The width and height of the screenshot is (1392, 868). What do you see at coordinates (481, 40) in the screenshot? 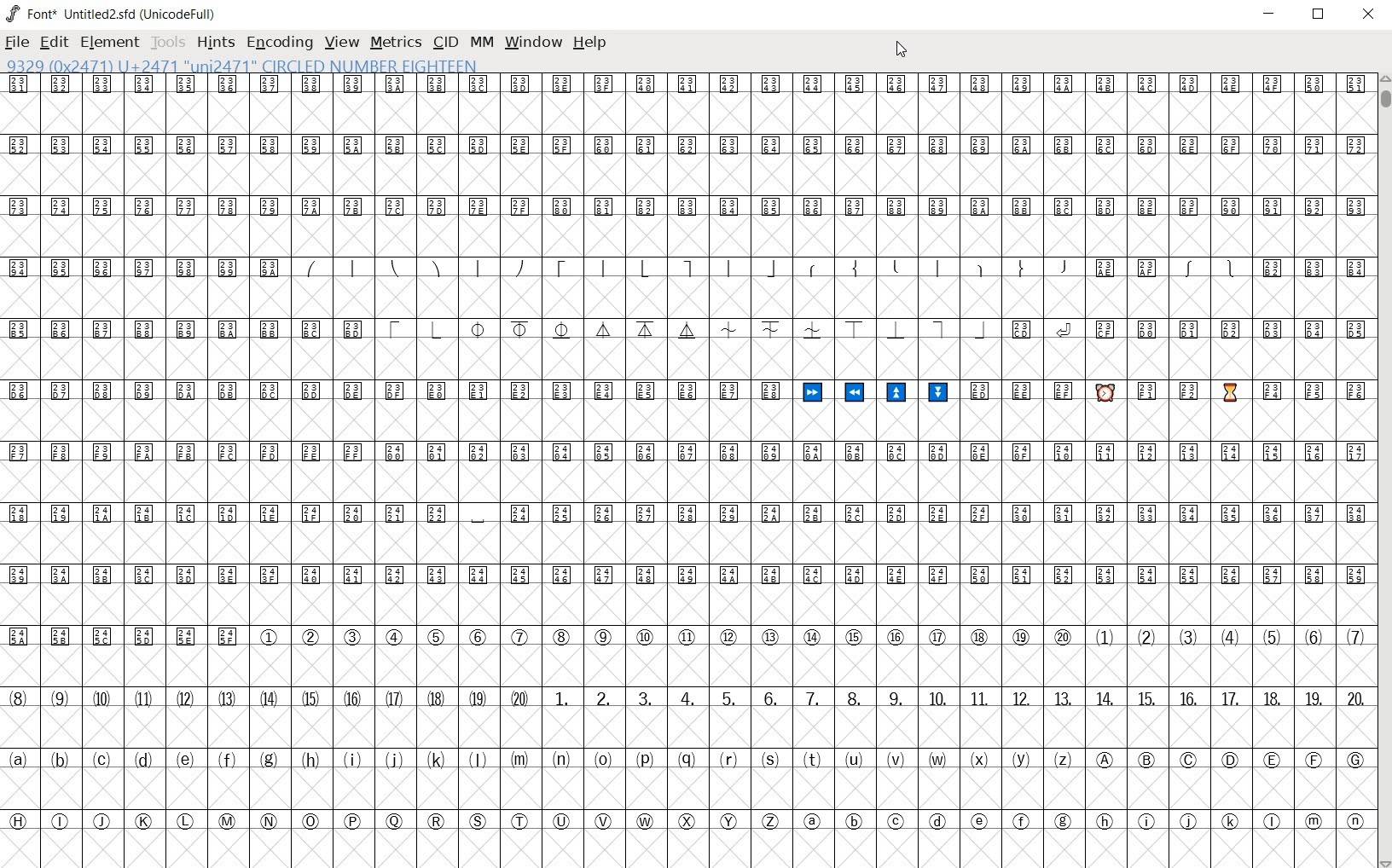
I see `mm` at bounding box center [481, 40].